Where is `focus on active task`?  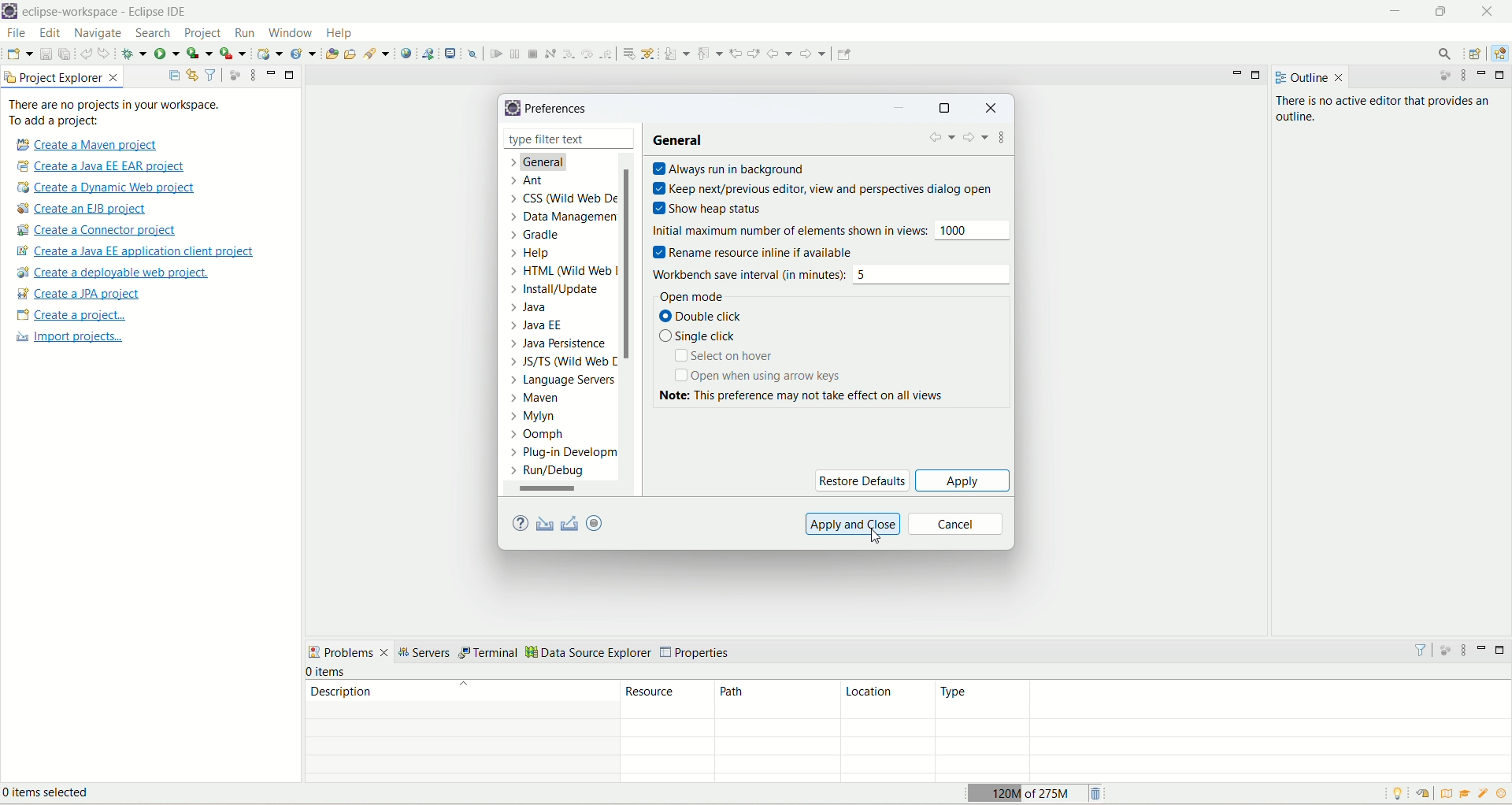
focus on active task is located at coordinates (1439, 77).